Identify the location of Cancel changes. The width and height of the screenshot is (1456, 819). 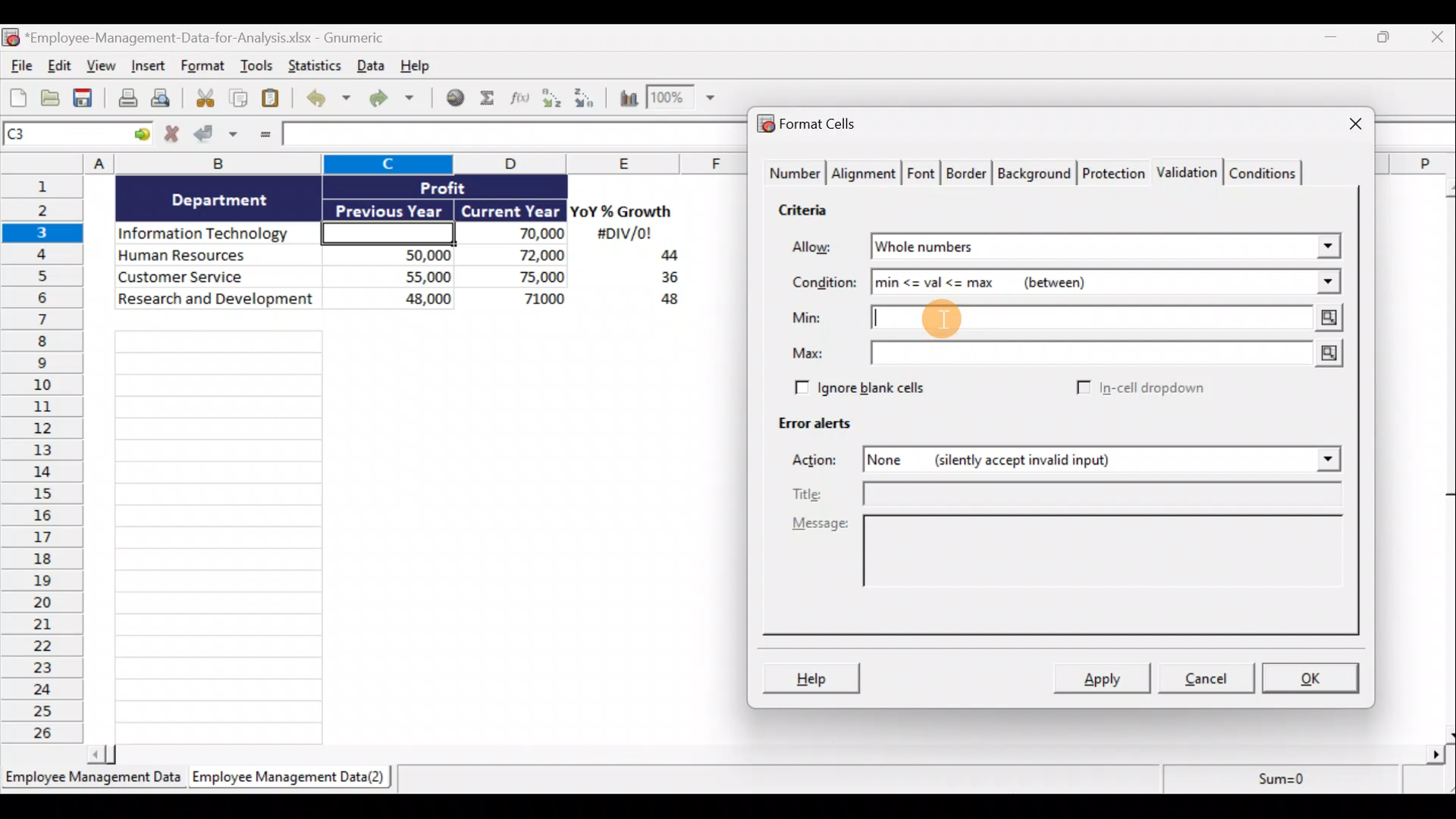
(172, 136).